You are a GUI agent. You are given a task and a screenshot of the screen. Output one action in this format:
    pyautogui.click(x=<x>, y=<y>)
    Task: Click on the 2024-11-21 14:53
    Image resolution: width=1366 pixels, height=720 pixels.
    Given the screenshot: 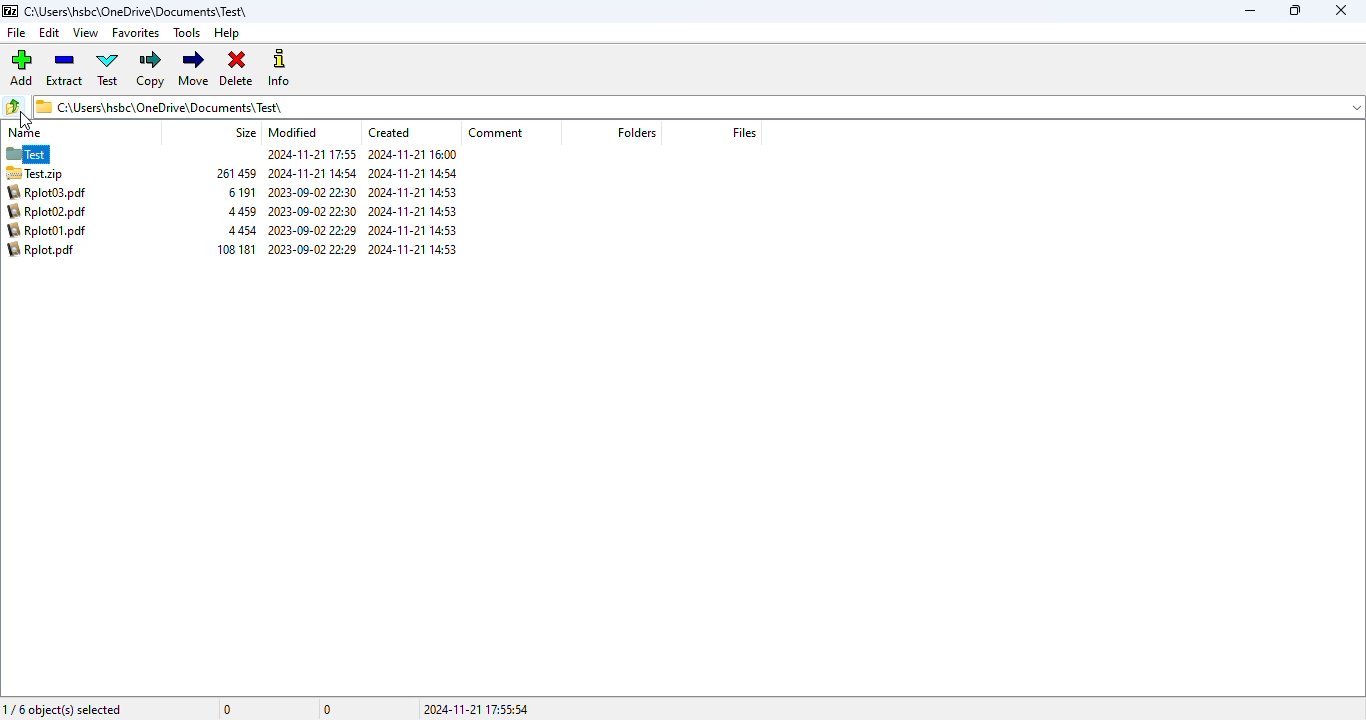 What is the action you would take?
    pyautogui.click(x=412, y=249)
    